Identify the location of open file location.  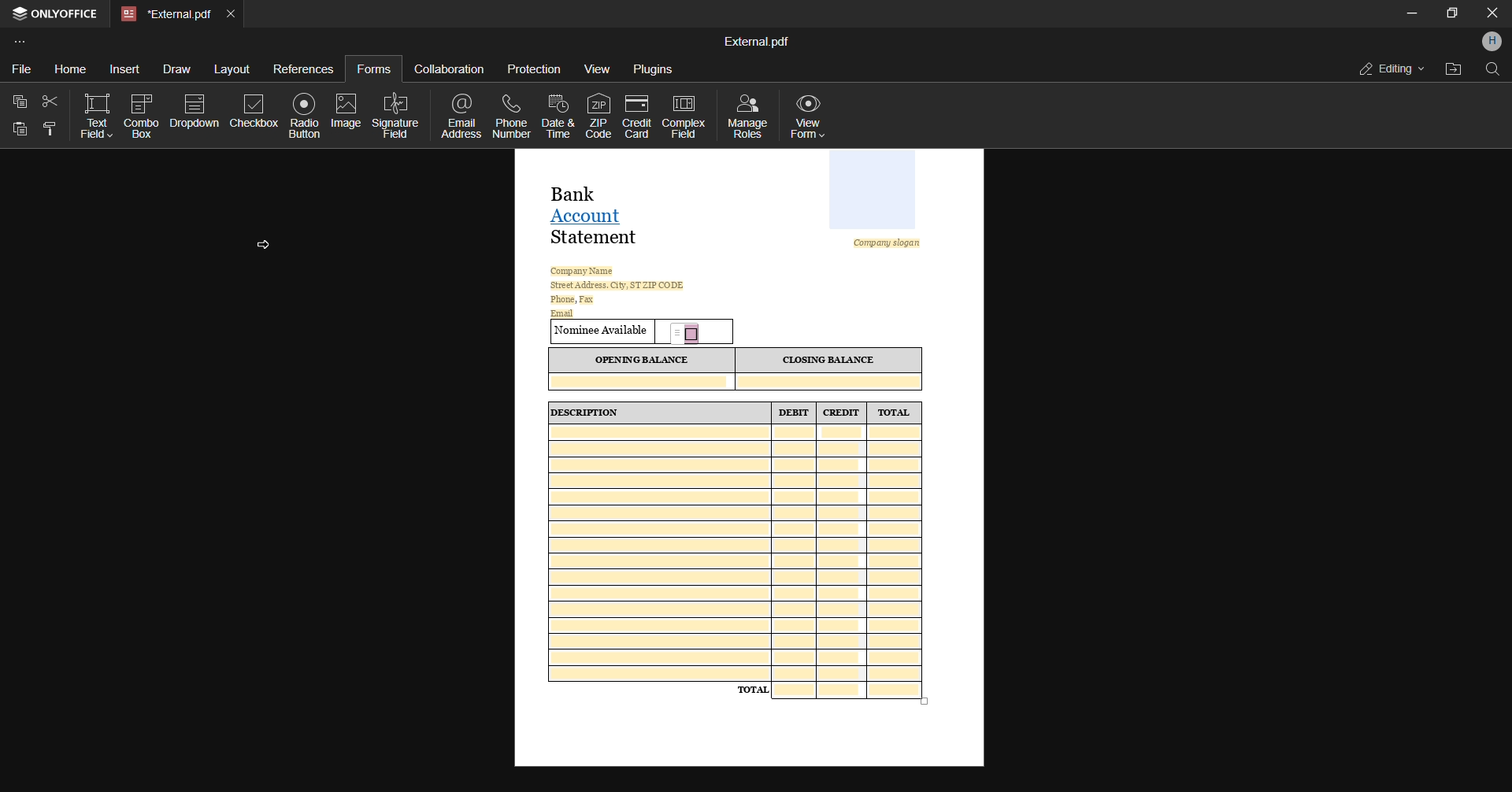
(1453, 68).